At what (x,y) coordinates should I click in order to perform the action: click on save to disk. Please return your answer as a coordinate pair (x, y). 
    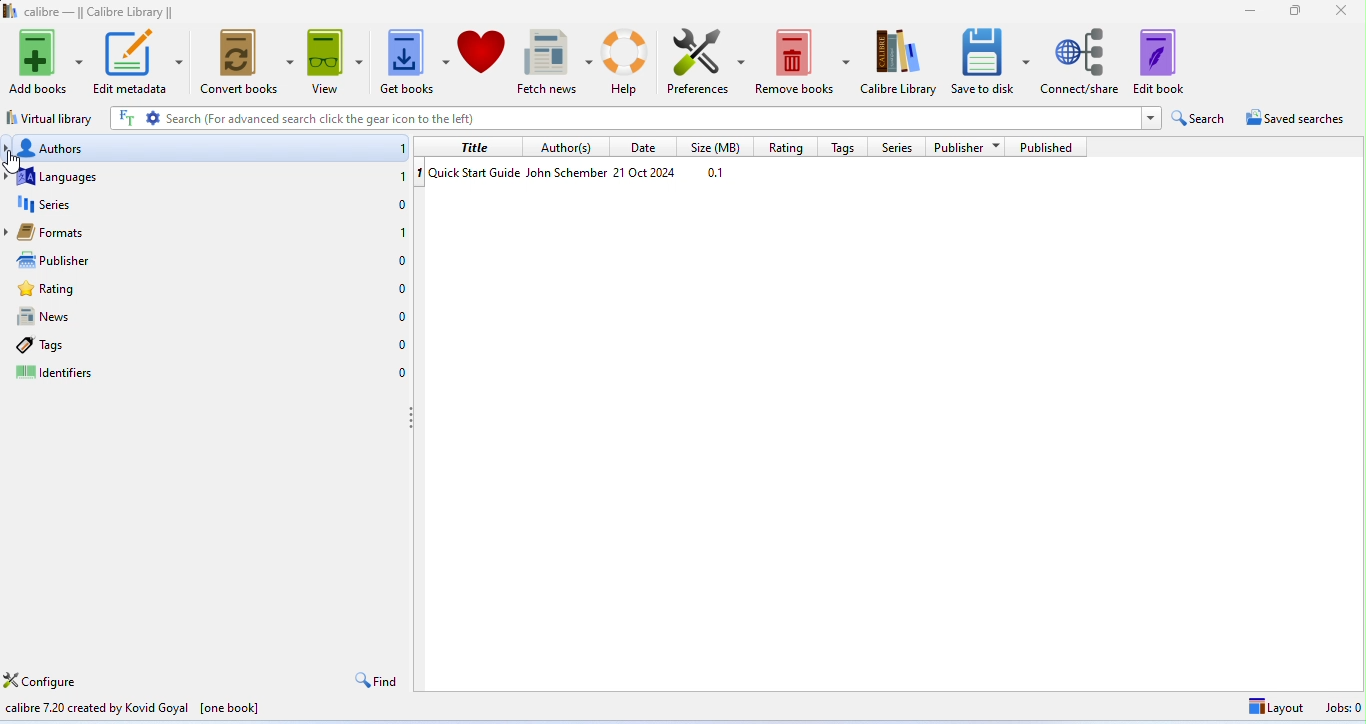
    Looking at the image, I should click on (989, 59).